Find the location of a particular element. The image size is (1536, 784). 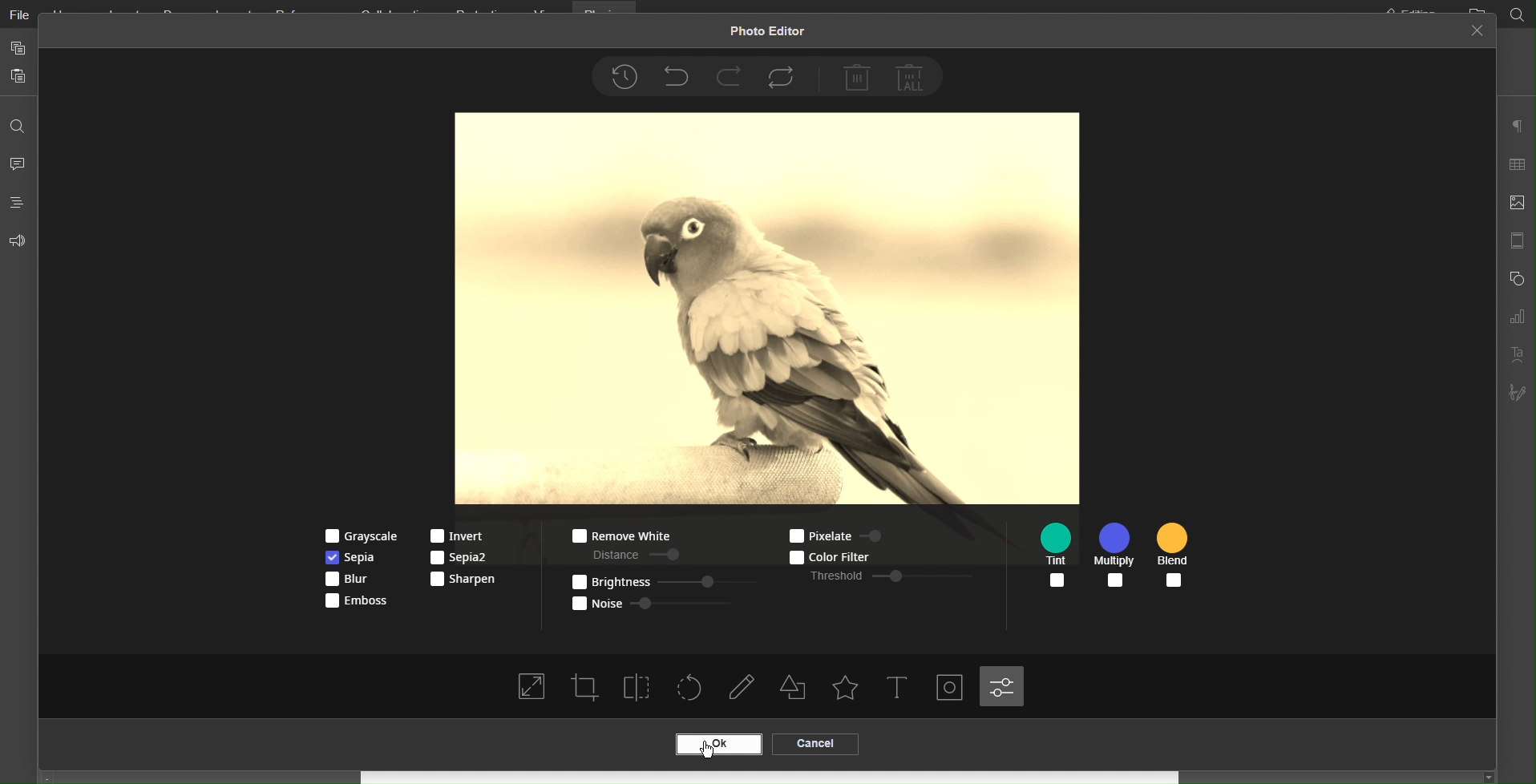

Delete is located at coordinates (857, 77).